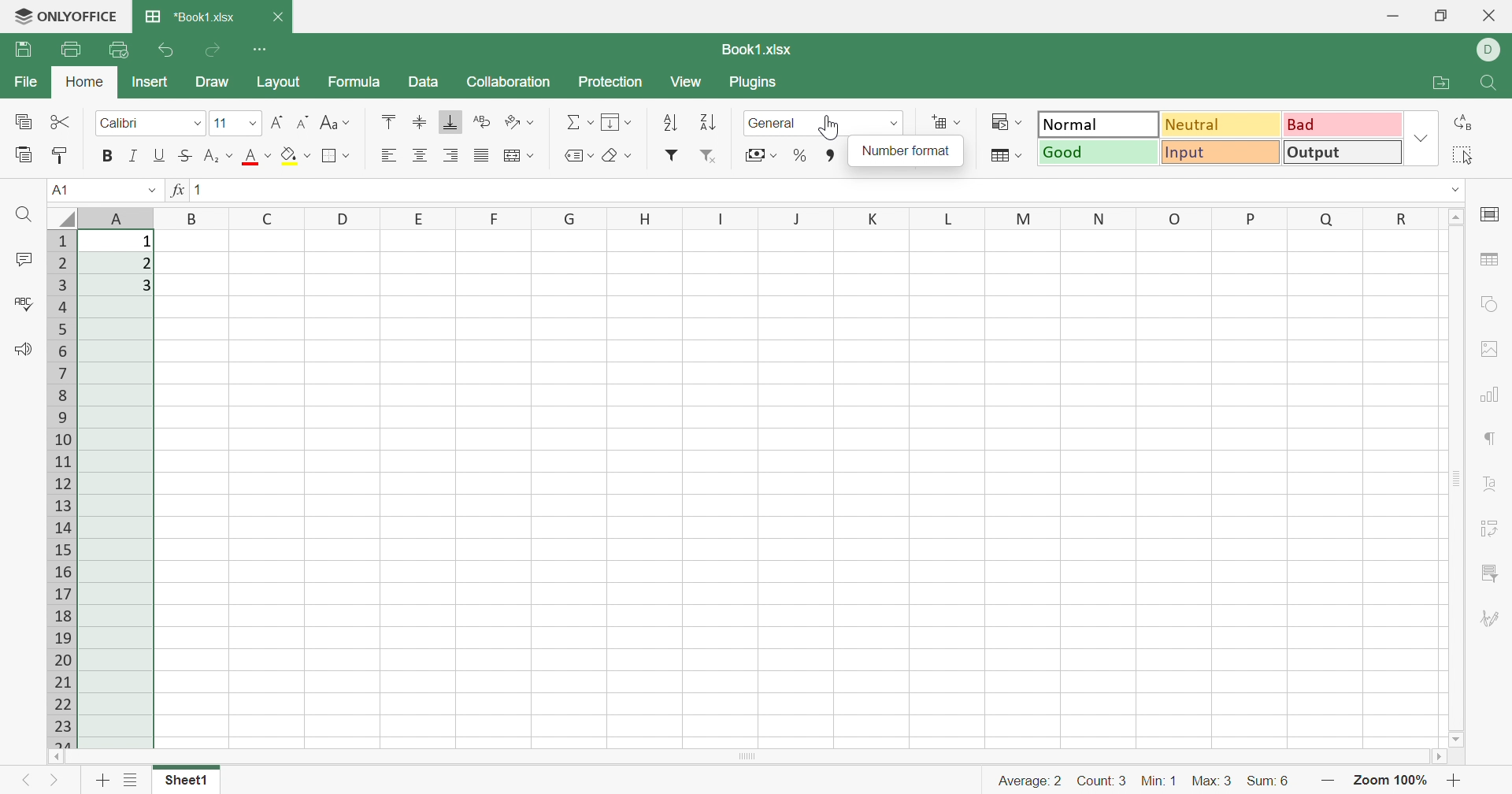  What do you see at coordinates (54, 783) in the screenshot?
I see `Next` at bounding box center [54, 783].